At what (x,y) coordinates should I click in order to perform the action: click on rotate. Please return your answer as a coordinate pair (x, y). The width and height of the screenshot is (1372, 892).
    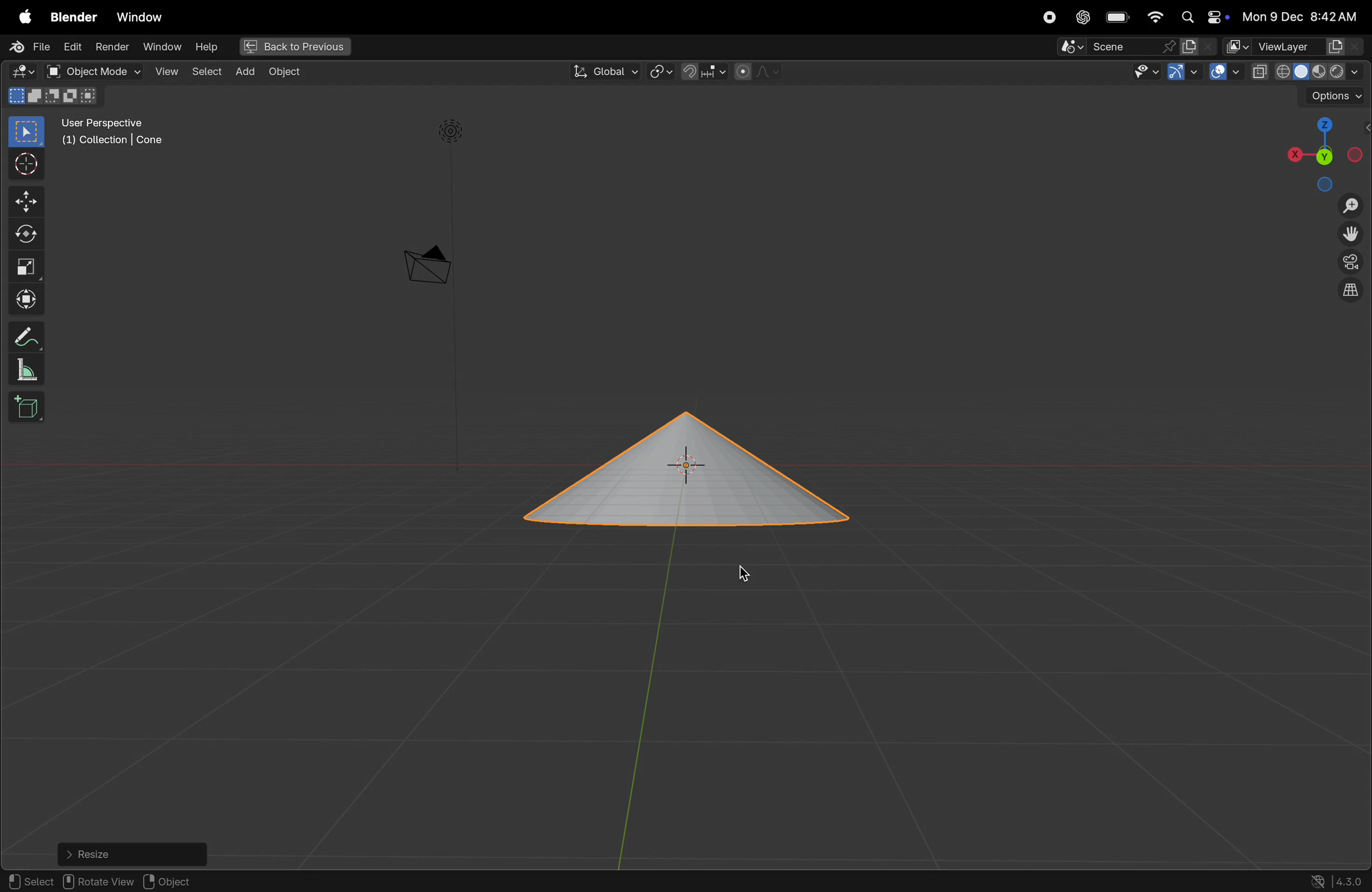
    Looking at the image, I should click on (794, 880).